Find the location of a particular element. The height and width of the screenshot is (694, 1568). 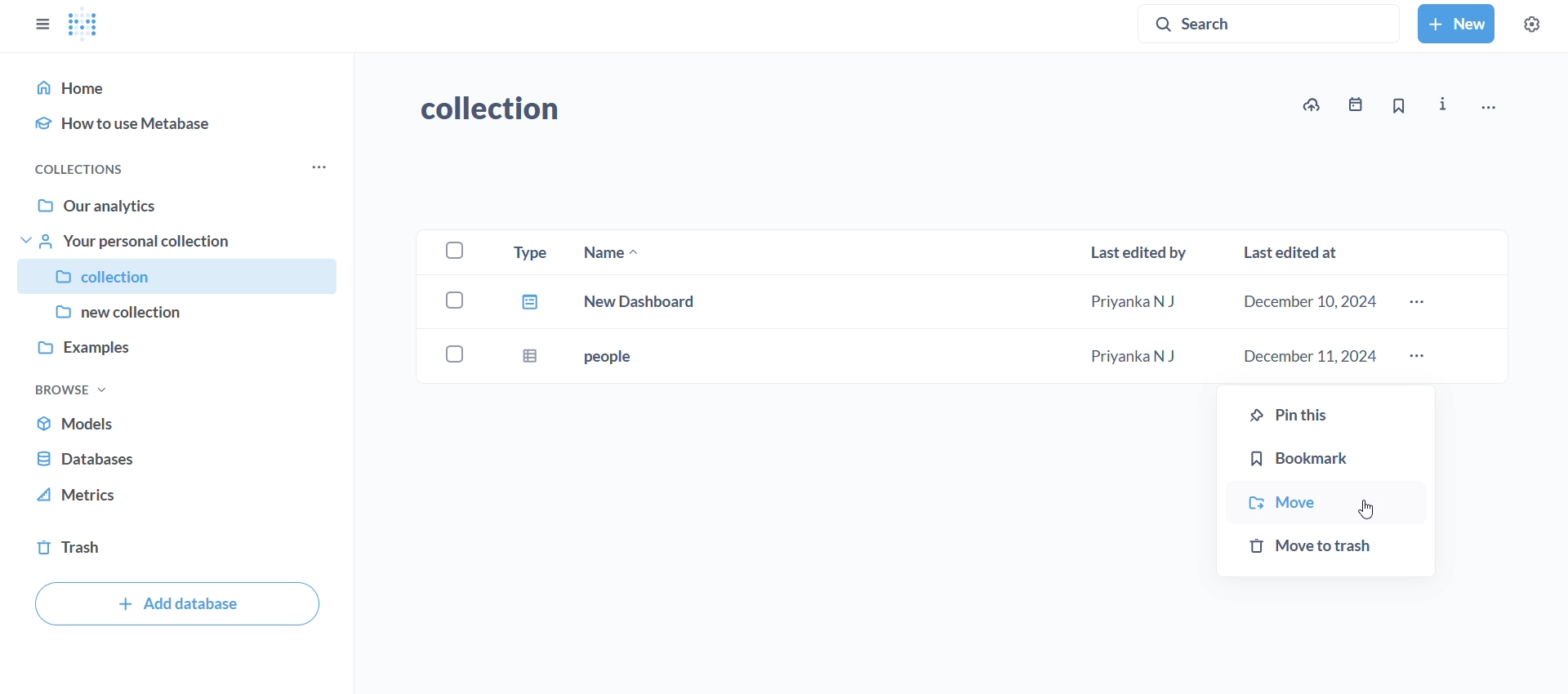

name is located at coordinates (605, 253).